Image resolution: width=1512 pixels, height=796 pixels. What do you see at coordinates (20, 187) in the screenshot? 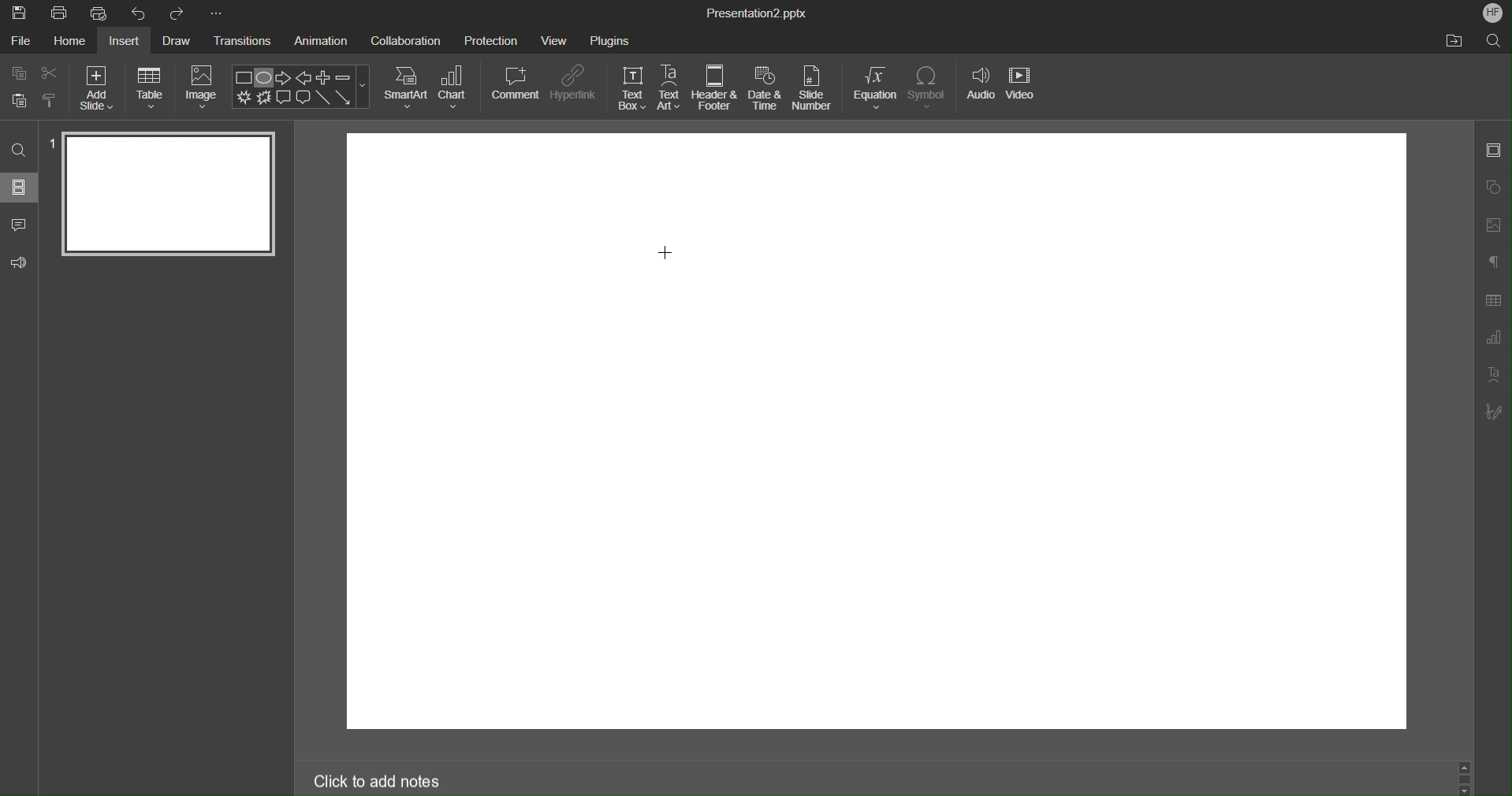
I see `Sildes` at bounding box center [20, 187].